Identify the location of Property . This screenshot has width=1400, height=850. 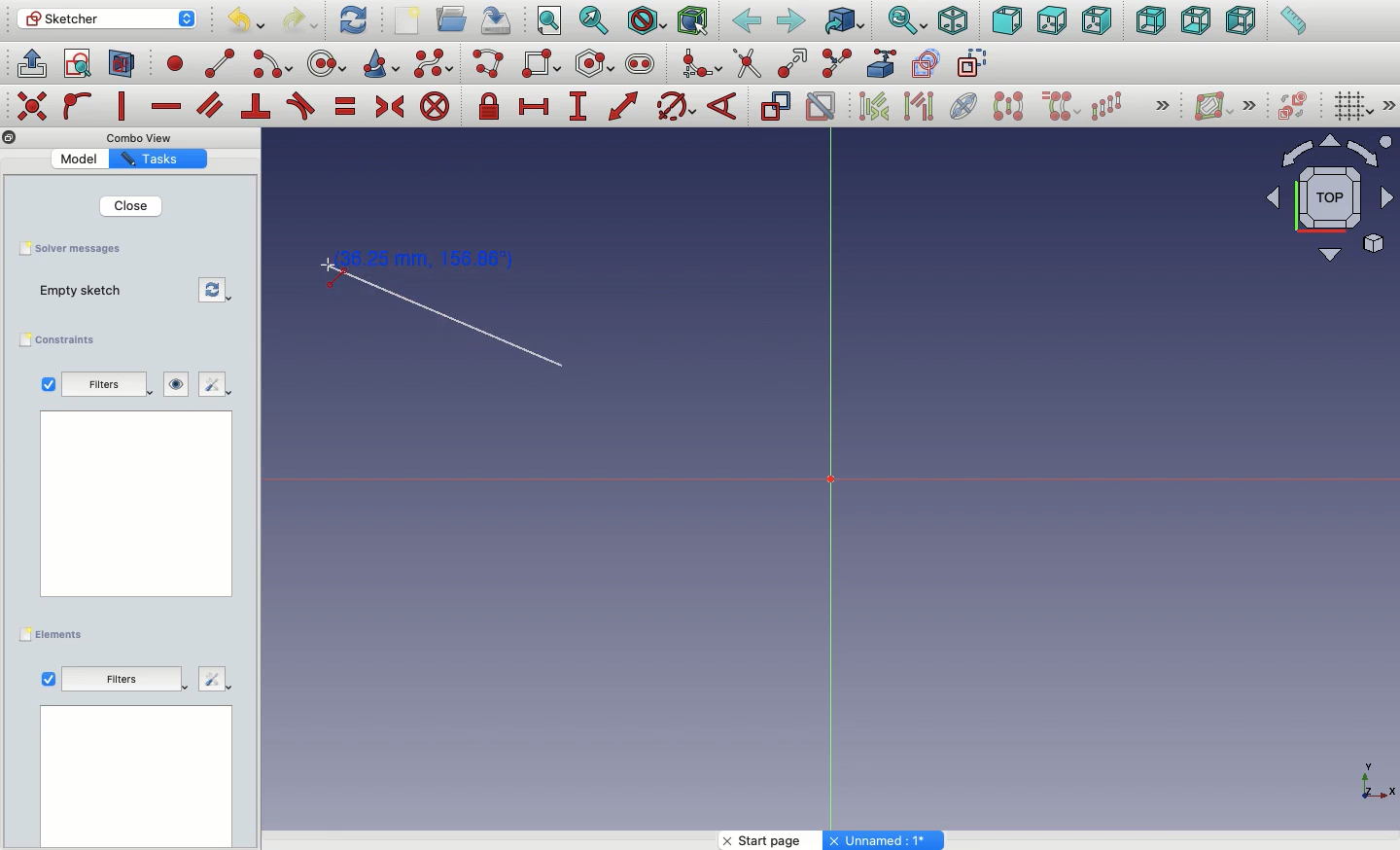
(157, 160).